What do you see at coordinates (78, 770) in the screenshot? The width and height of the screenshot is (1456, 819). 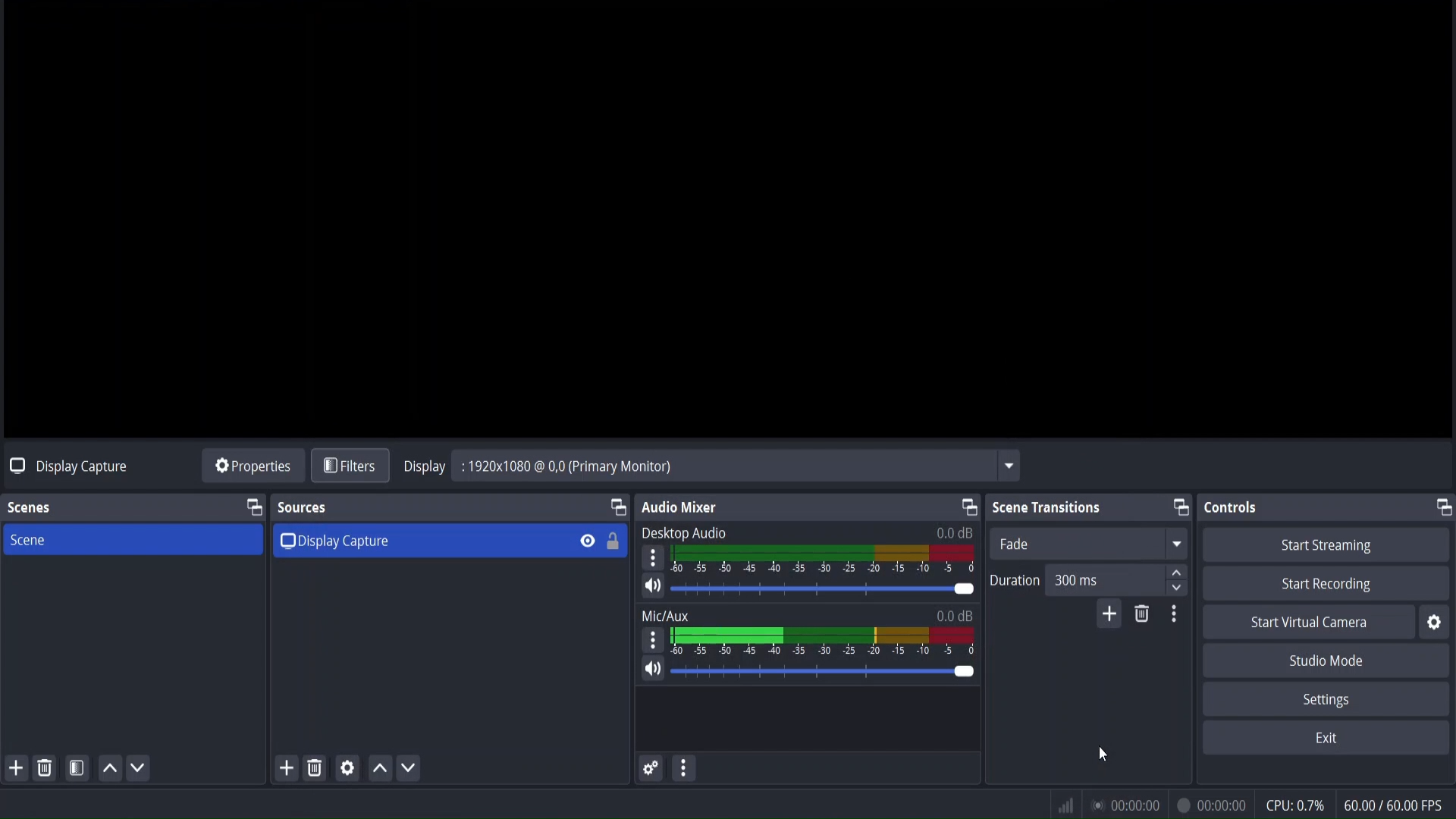 I see `open scene filter` at bounding box center [78, 770].